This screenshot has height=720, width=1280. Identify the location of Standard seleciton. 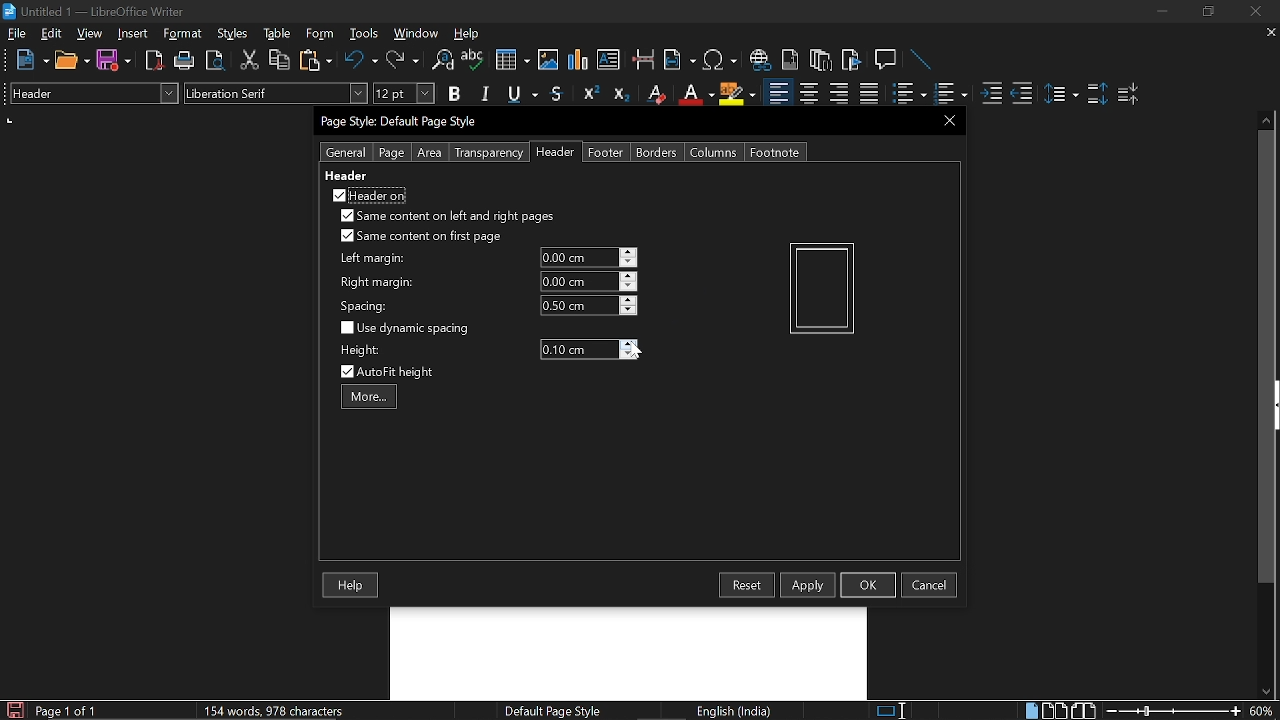
(895, 711).